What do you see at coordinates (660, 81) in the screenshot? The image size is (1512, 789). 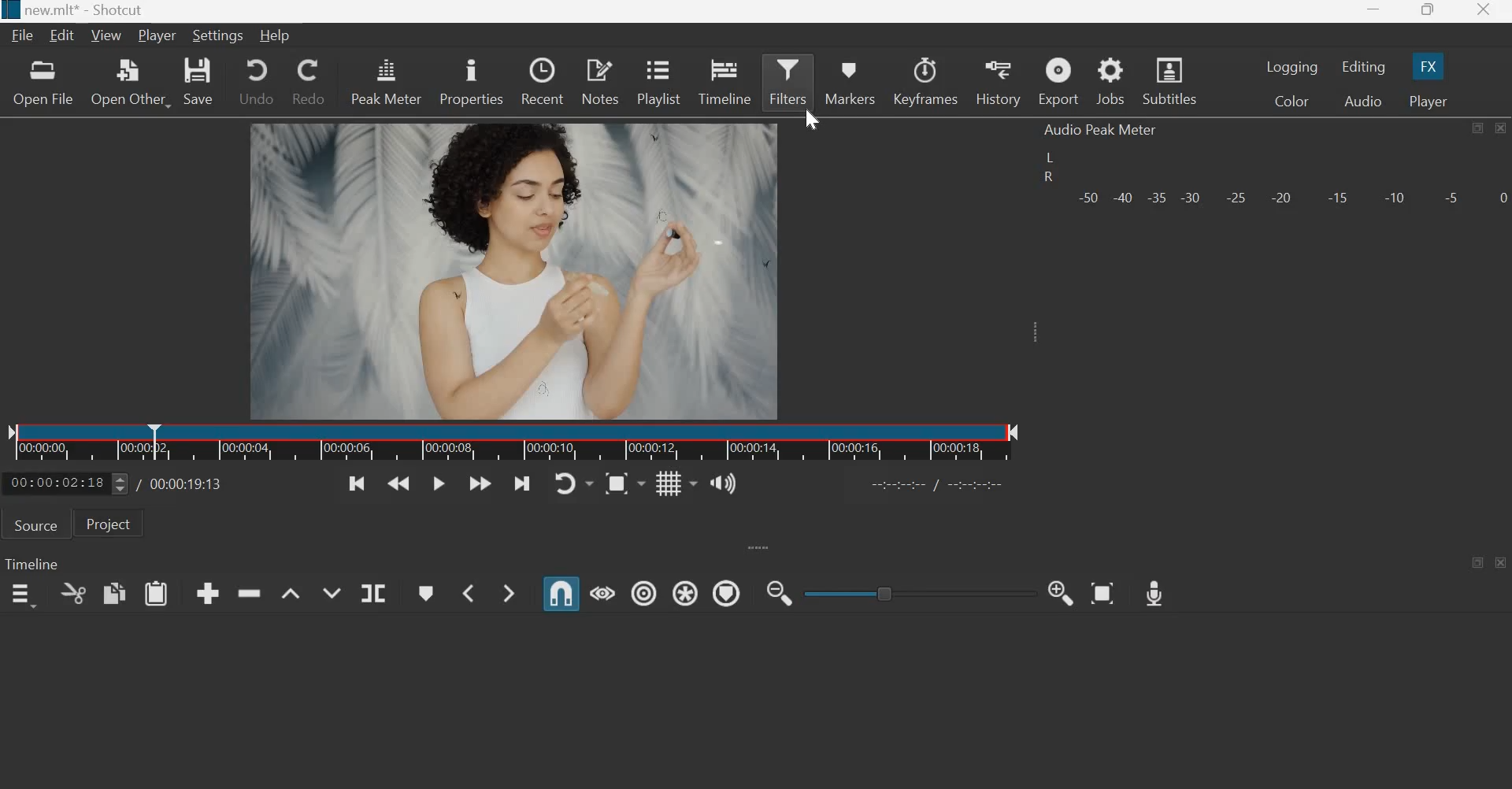 I see `Playlist` at bounding box center [660, 81].